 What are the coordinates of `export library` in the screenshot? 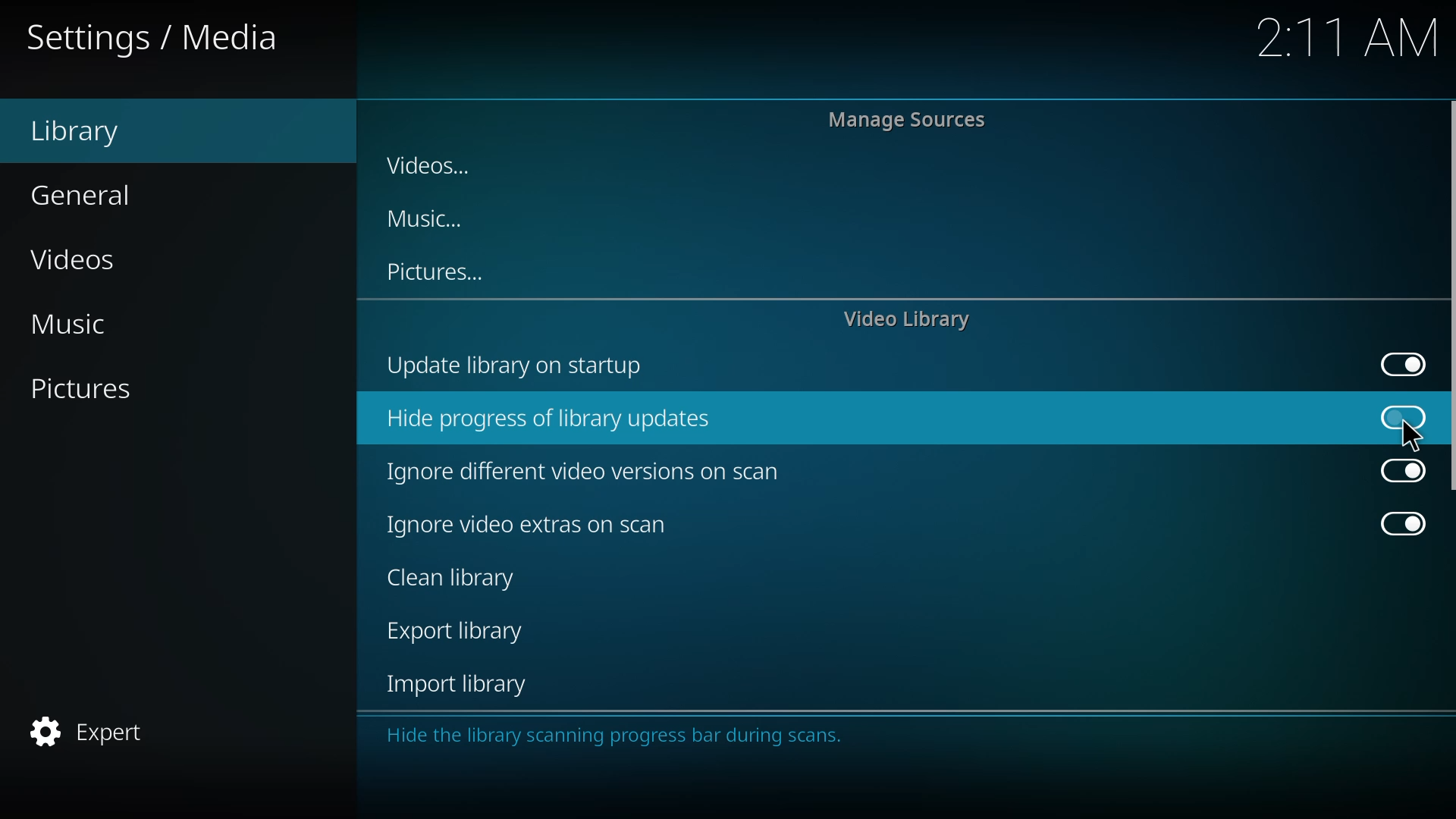 It's located at (458, 633).